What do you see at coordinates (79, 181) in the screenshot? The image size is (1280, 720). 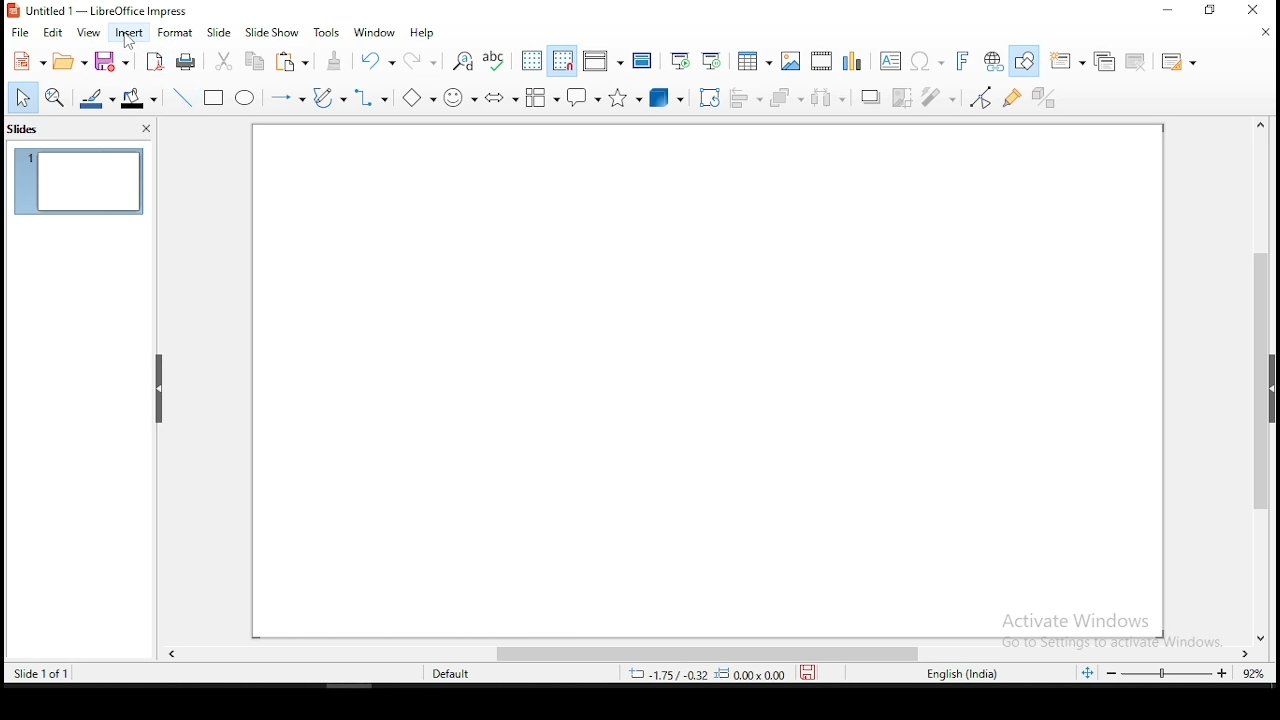 I see `slide 1` at bounding box center [79, 181].